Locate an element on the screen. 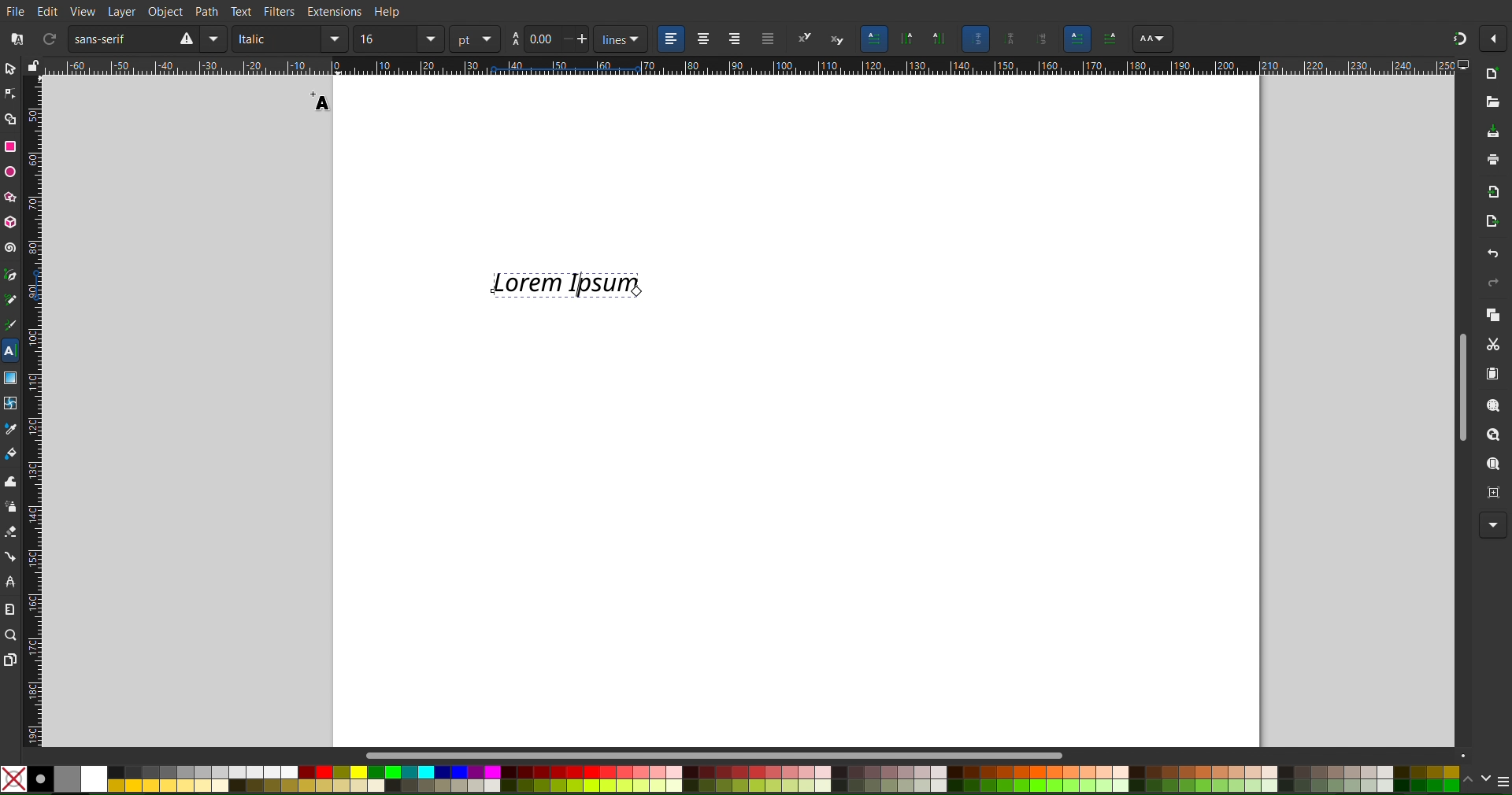 The width and height of the screenshot is (1512, 795). Vertical Text, Right to Left is located at coordinates (906, 40).